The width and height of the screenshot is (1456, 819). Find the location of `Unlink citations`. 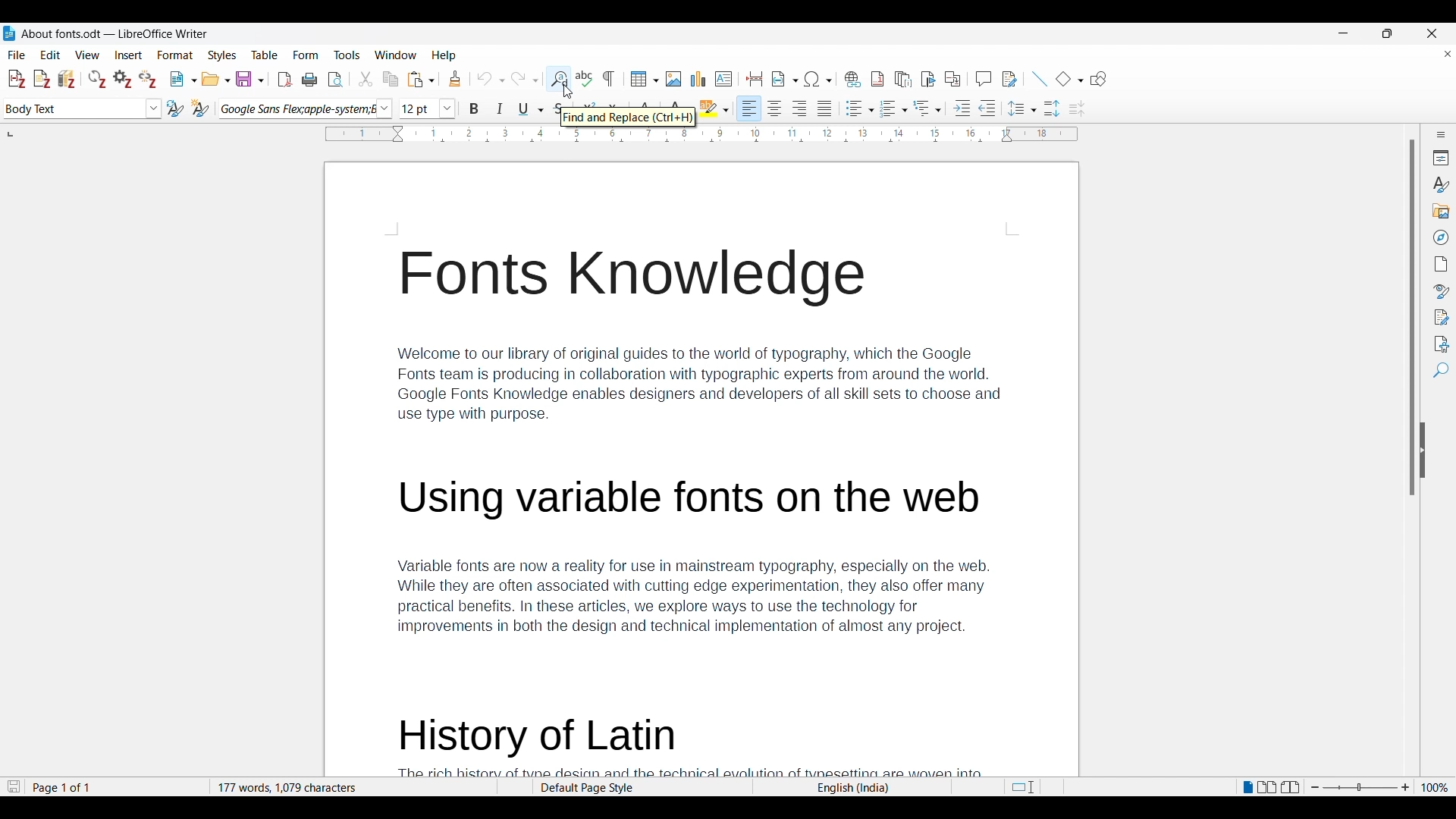

Unlink citations is located at coordinates (148, 79).